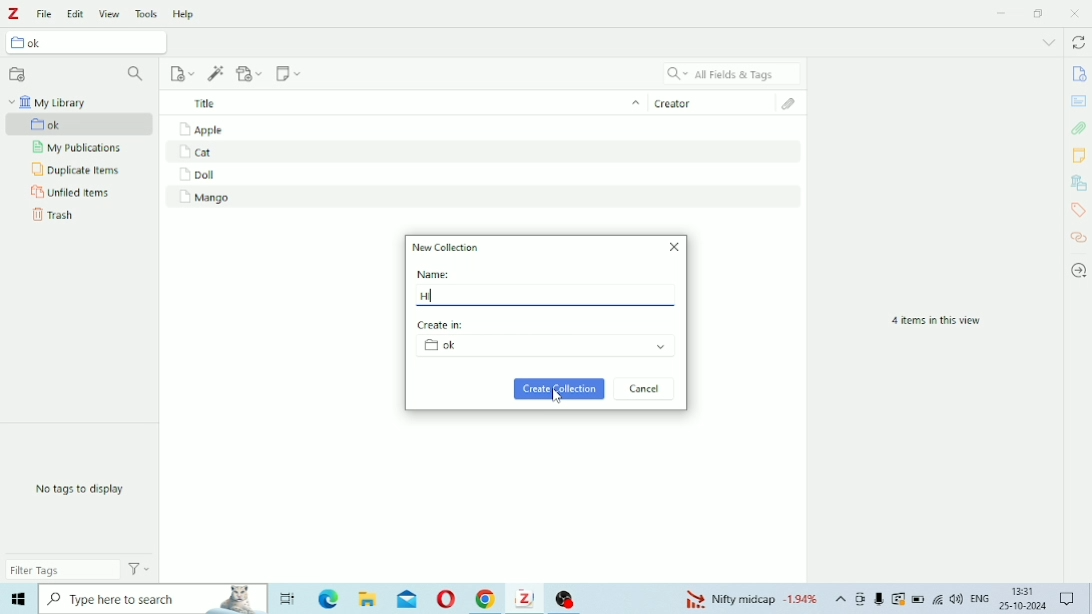  Describe the element at coordinates (545, 345) in the screenshot. I see `ok` at that location.